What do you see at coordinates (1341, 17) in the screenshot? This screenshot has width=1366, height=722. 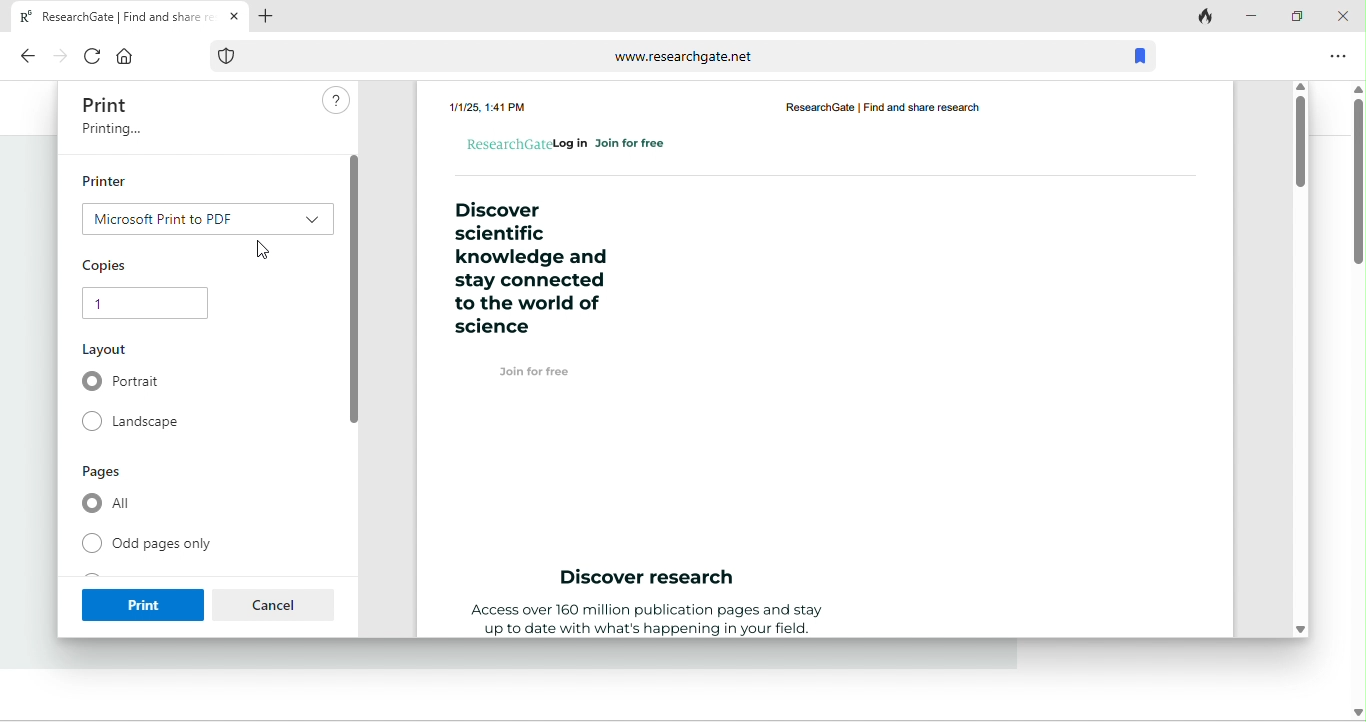 I see `close` at bounding box center [1341, 17].